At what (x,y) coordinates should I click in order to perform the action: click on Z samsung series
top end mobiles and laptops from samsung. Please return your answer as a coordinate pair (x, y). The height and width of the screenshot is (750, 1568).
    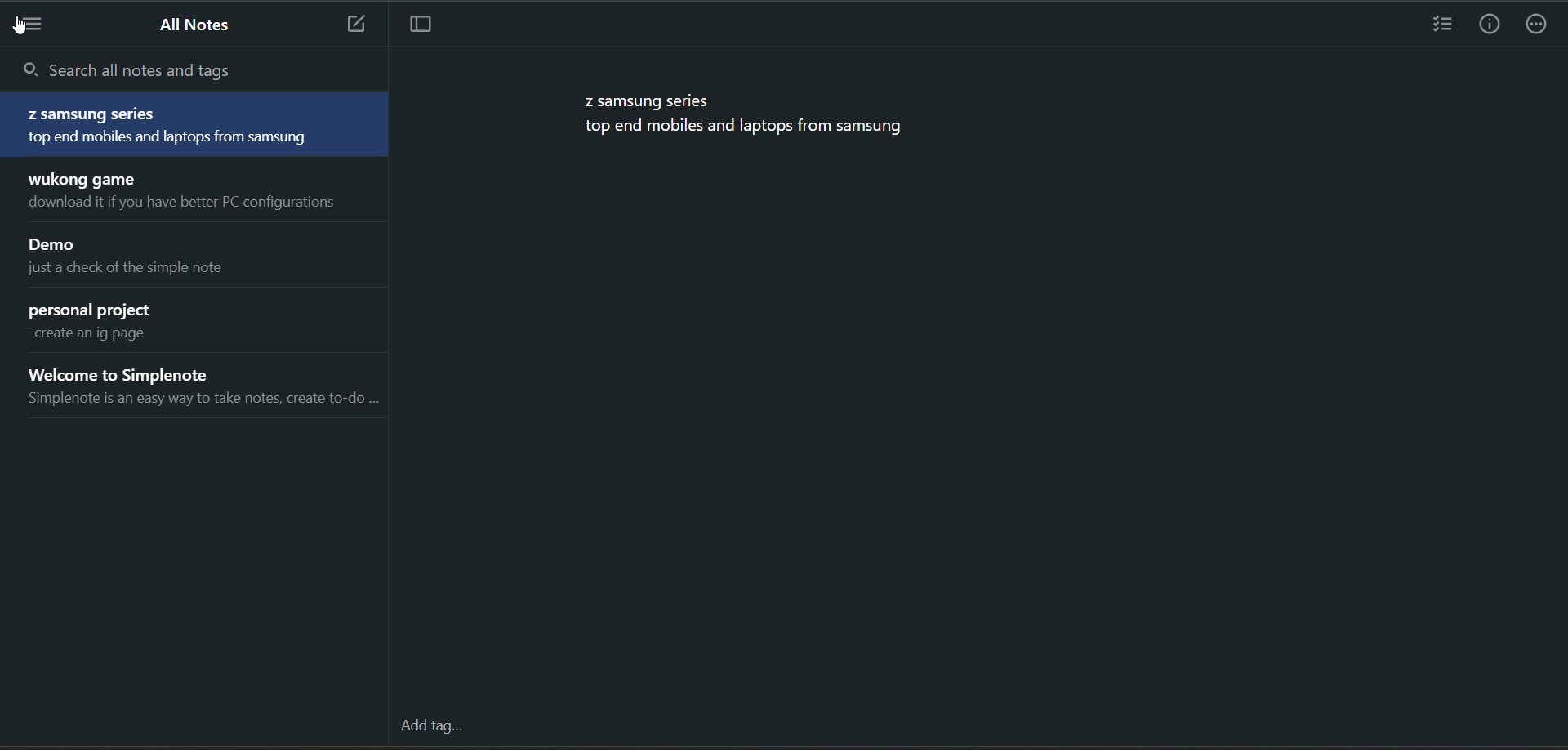
    Looking at the image, I should click on (748, 118).